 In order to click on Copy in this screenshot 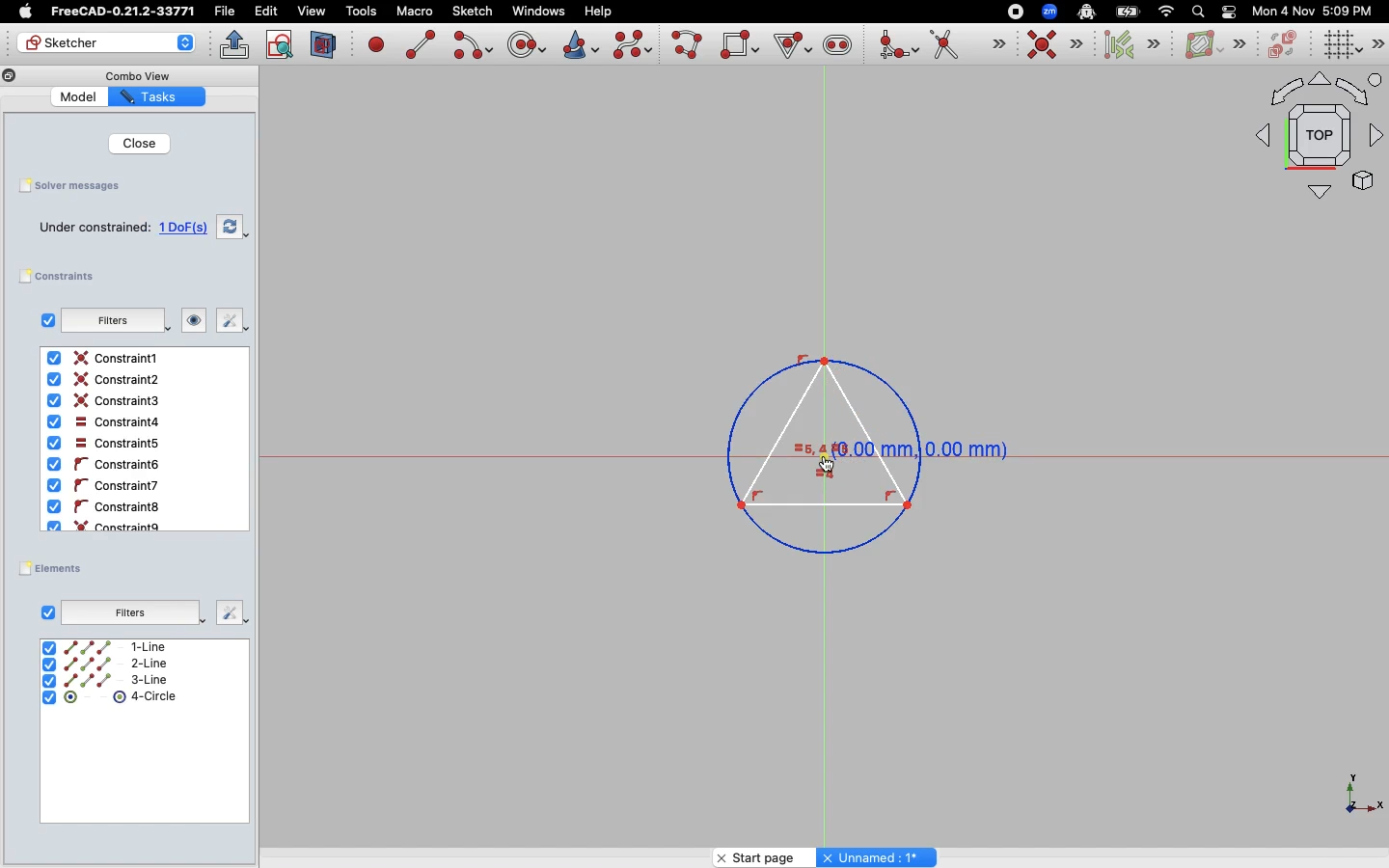, I will do `click(10, 78)`.